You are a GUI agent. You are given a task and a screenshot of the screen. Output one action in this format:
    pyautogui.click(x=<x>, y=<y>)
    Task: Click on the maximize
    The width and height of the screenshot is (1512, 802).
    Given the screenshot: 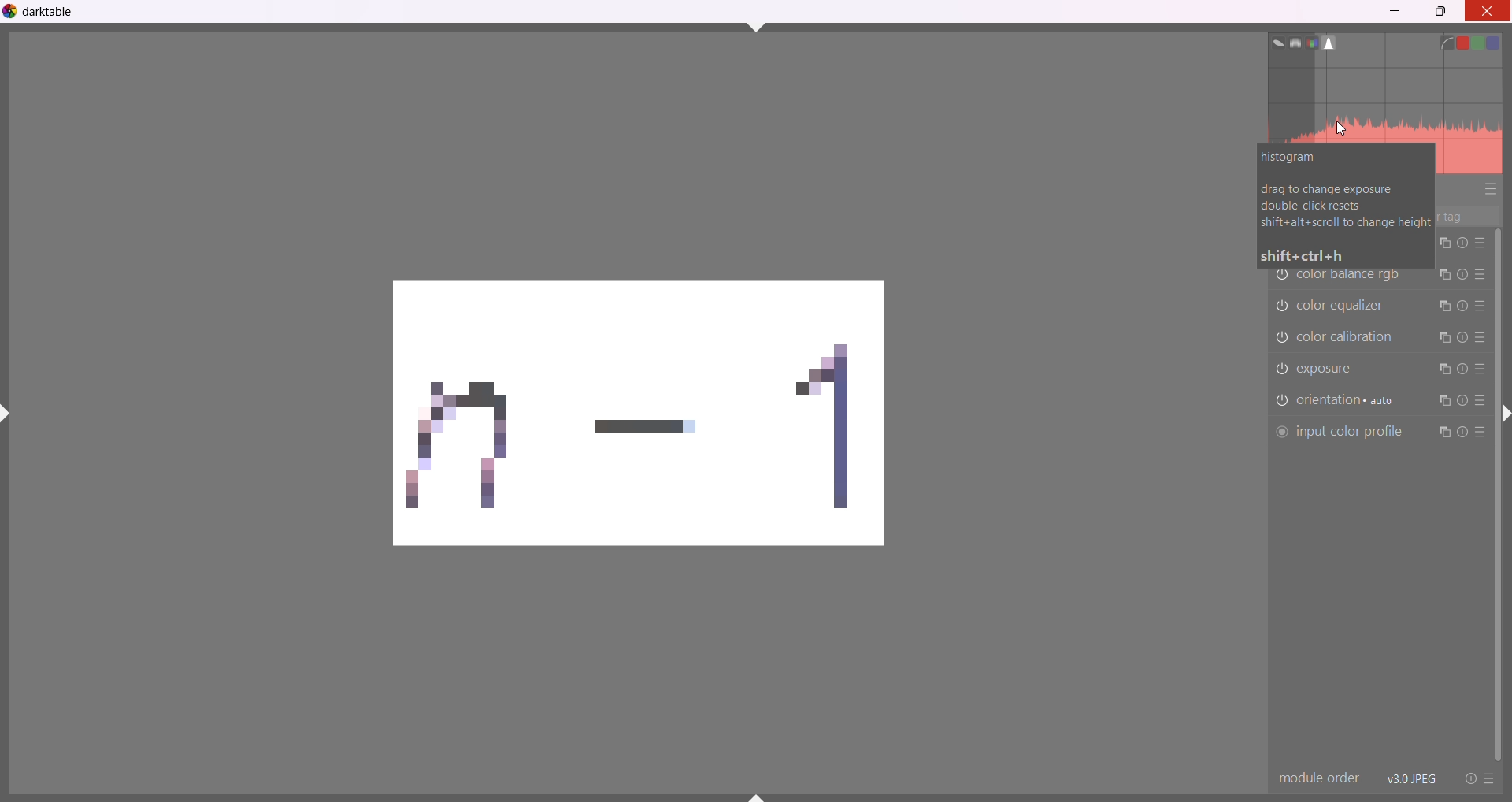 What is the action you would take?
    pyautogui.click(x=1442, y=13)
    